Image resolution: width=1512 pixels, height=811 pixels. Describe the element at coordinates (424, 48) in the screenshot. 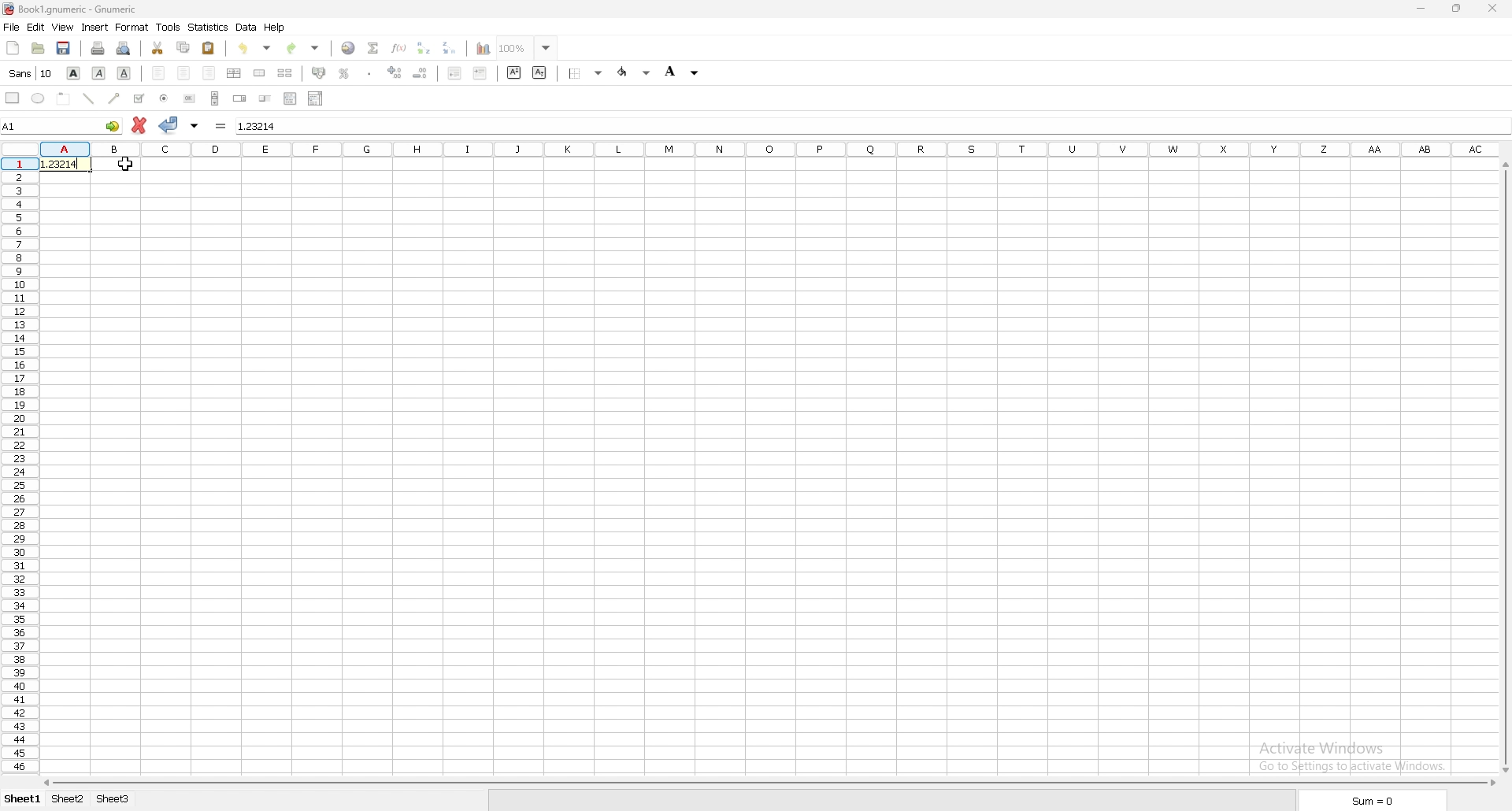

I see `sort ascending` at that location.